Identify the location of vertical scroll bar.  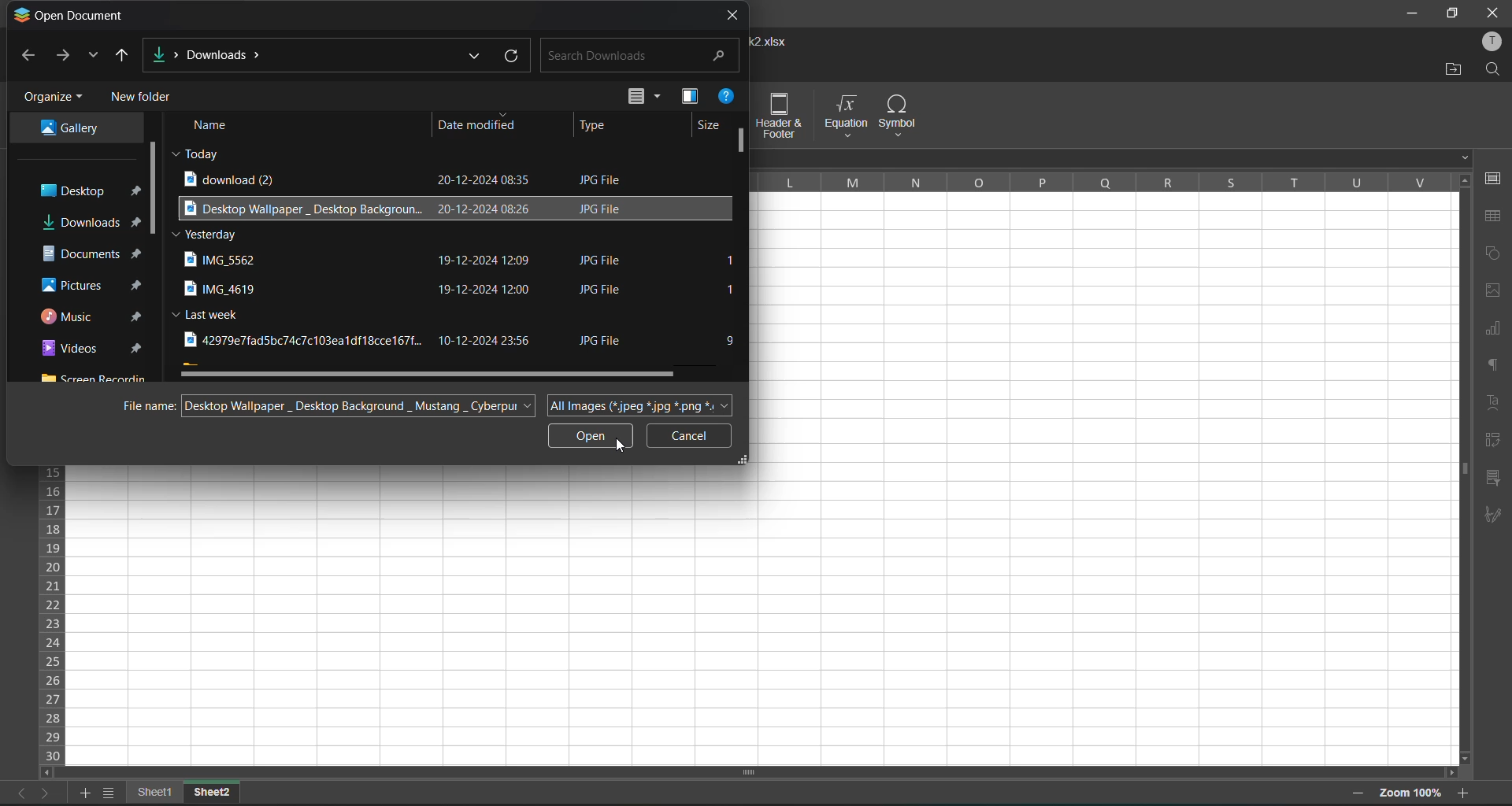
(1462, 371).